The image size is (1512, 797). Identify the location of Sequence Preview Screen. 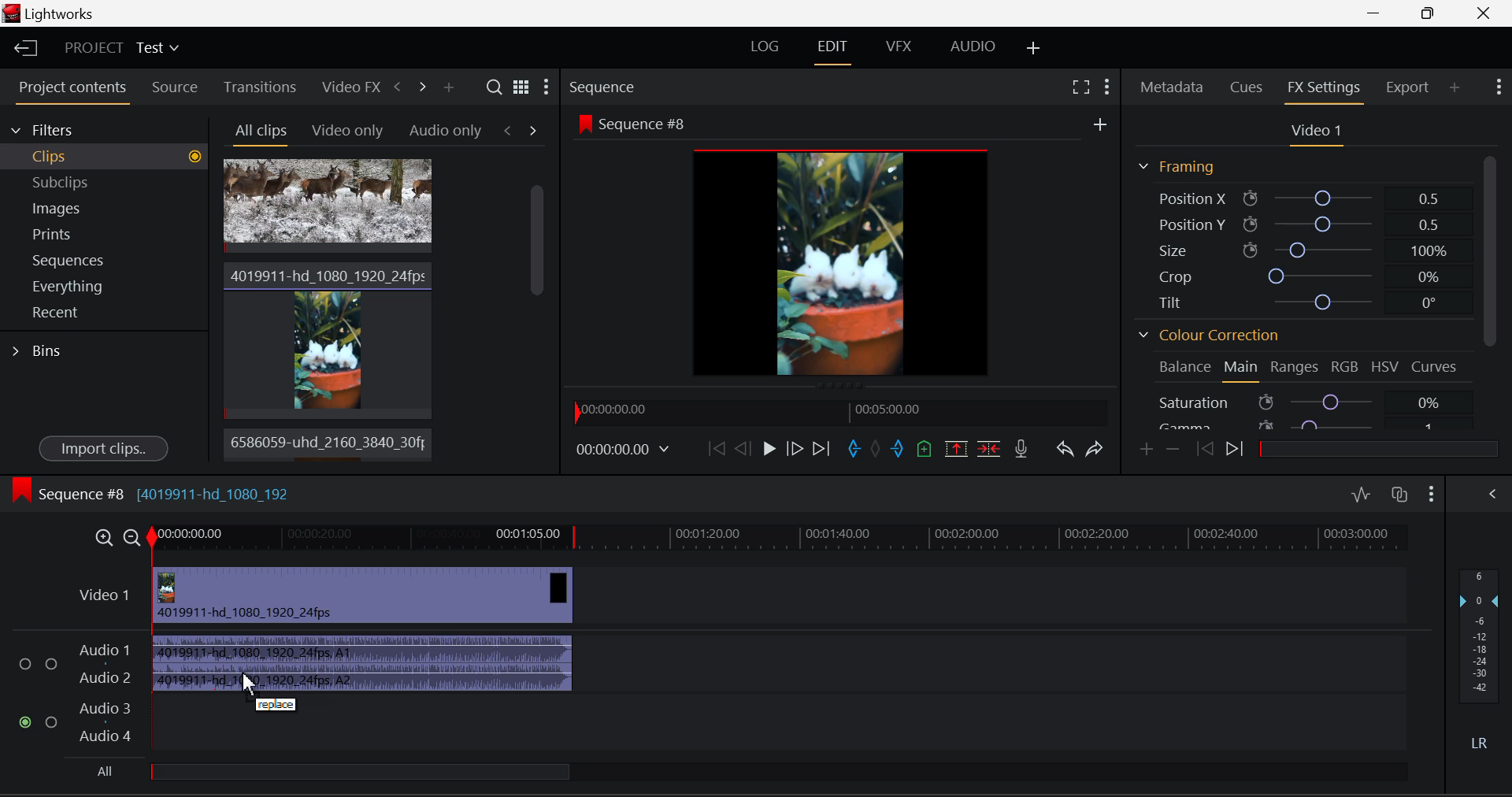
(842, 247).